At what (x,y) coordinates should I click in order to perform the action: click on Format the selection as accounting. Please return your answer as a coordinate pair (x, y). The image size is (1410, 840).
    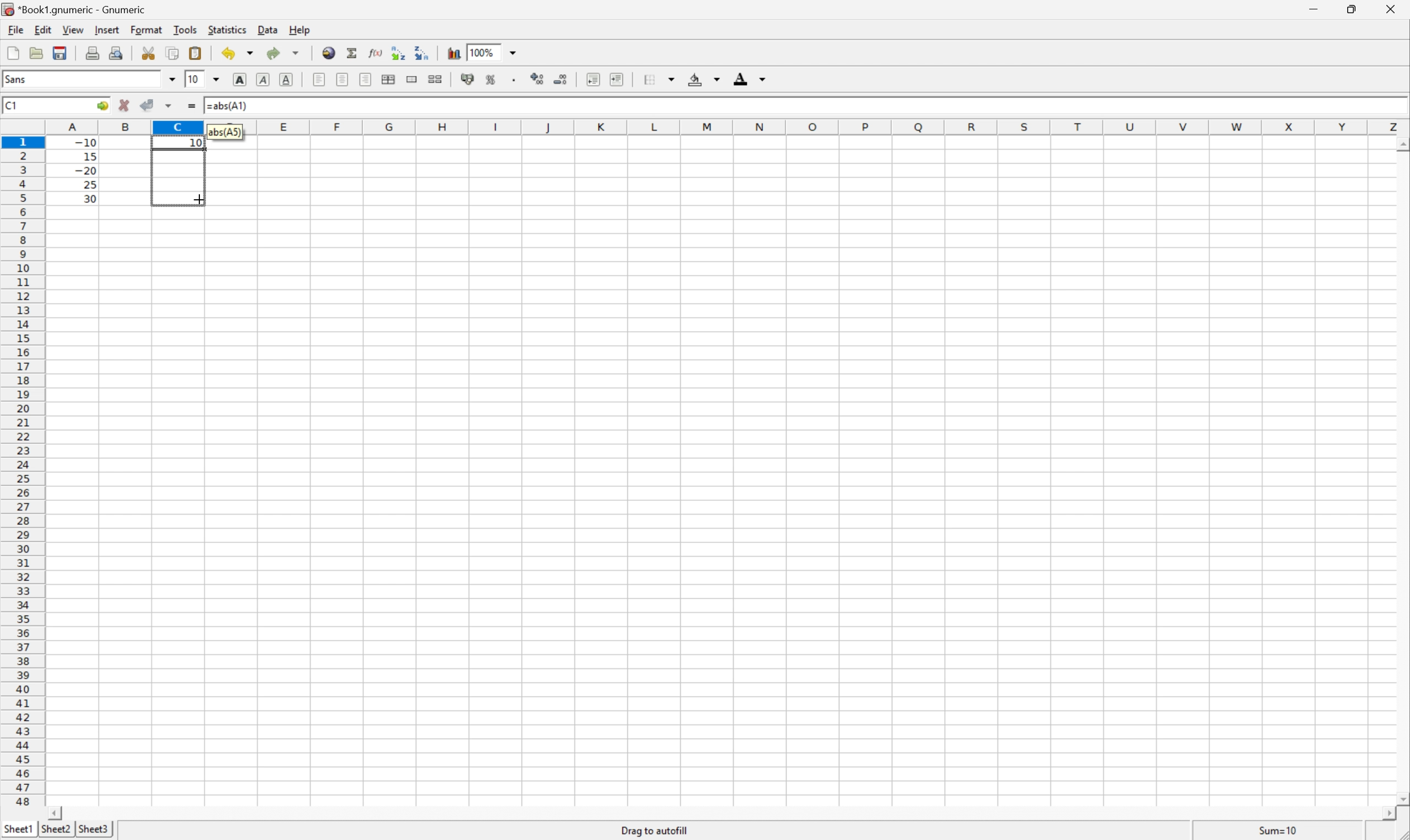
    Looking at the image, I should click on (467, 80).